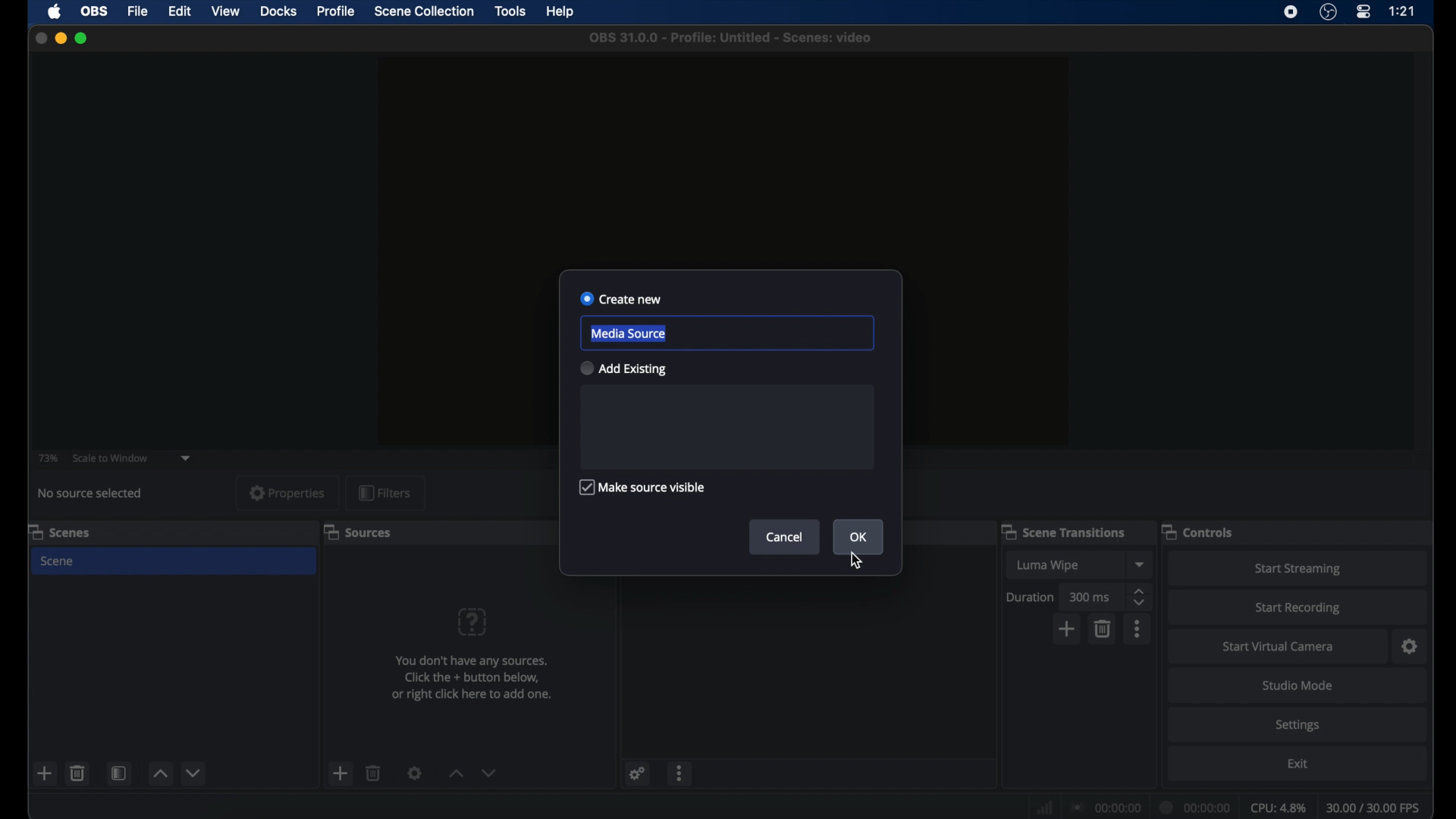 The width and height of the screenshot is (1456, 819). I want to click on cancel, so click(784, 537).